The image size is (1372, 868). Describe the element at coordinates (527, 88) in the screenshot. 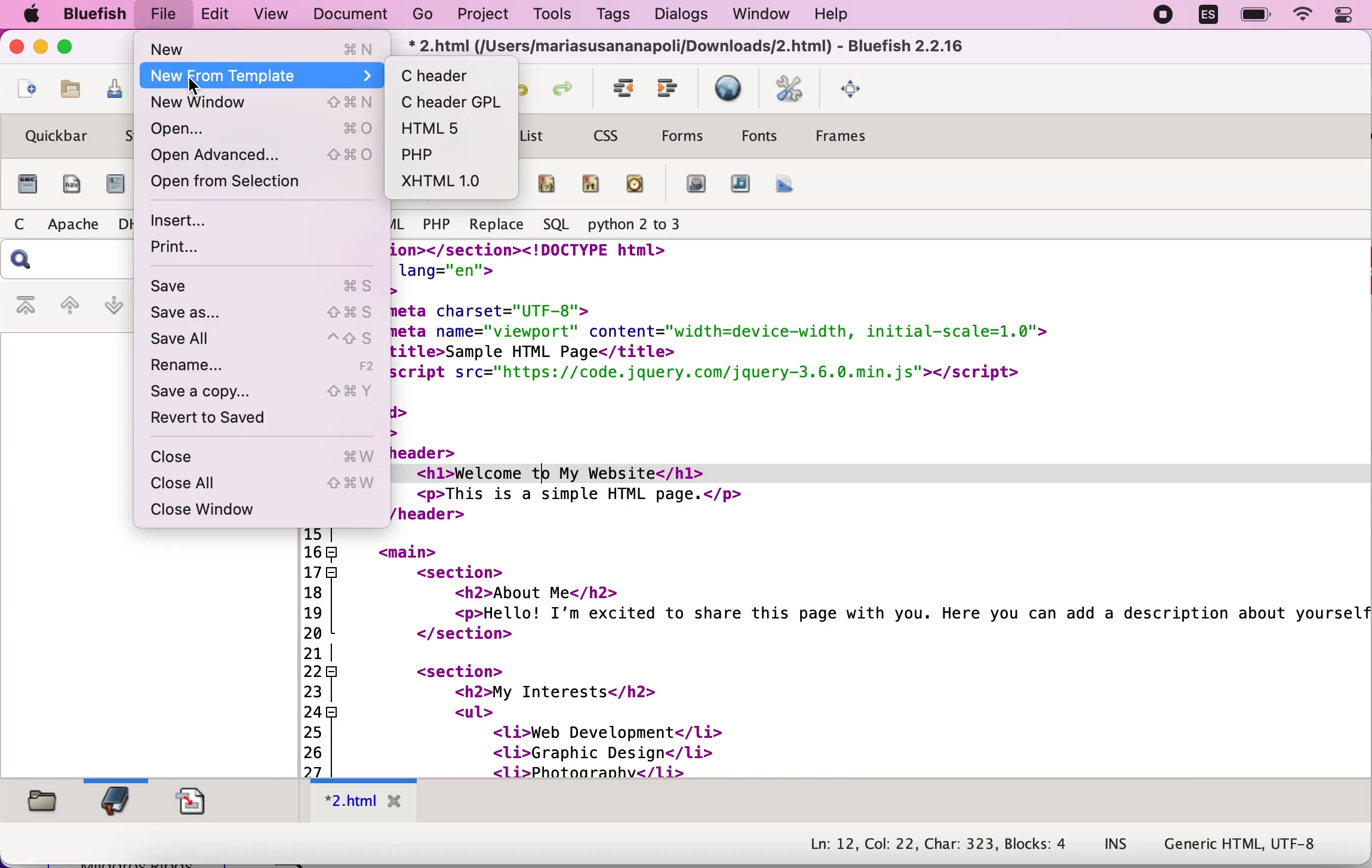

I see `undo` at that location.